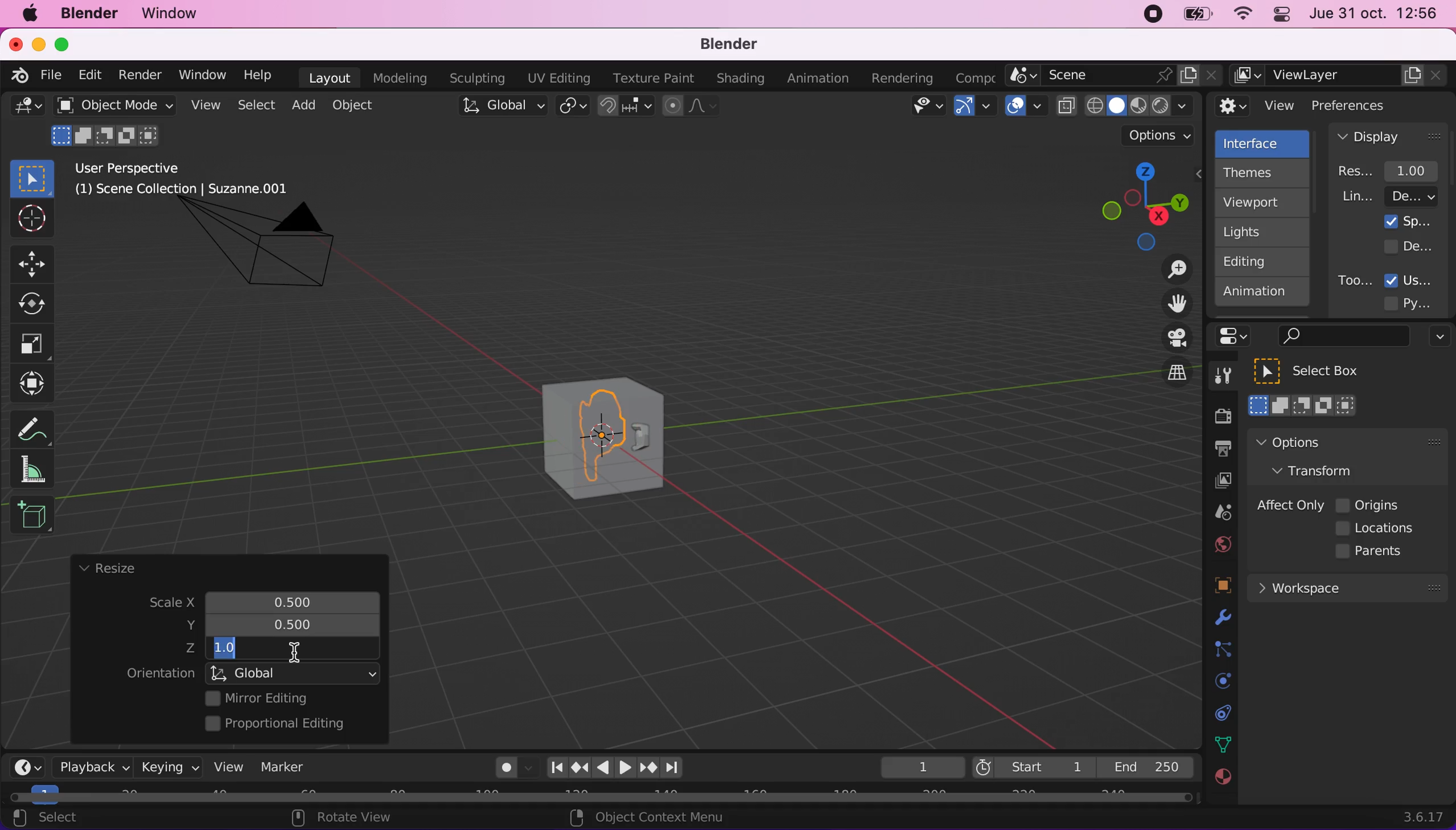  I want to click on click, shortcut, drag, so click(1141, 206).